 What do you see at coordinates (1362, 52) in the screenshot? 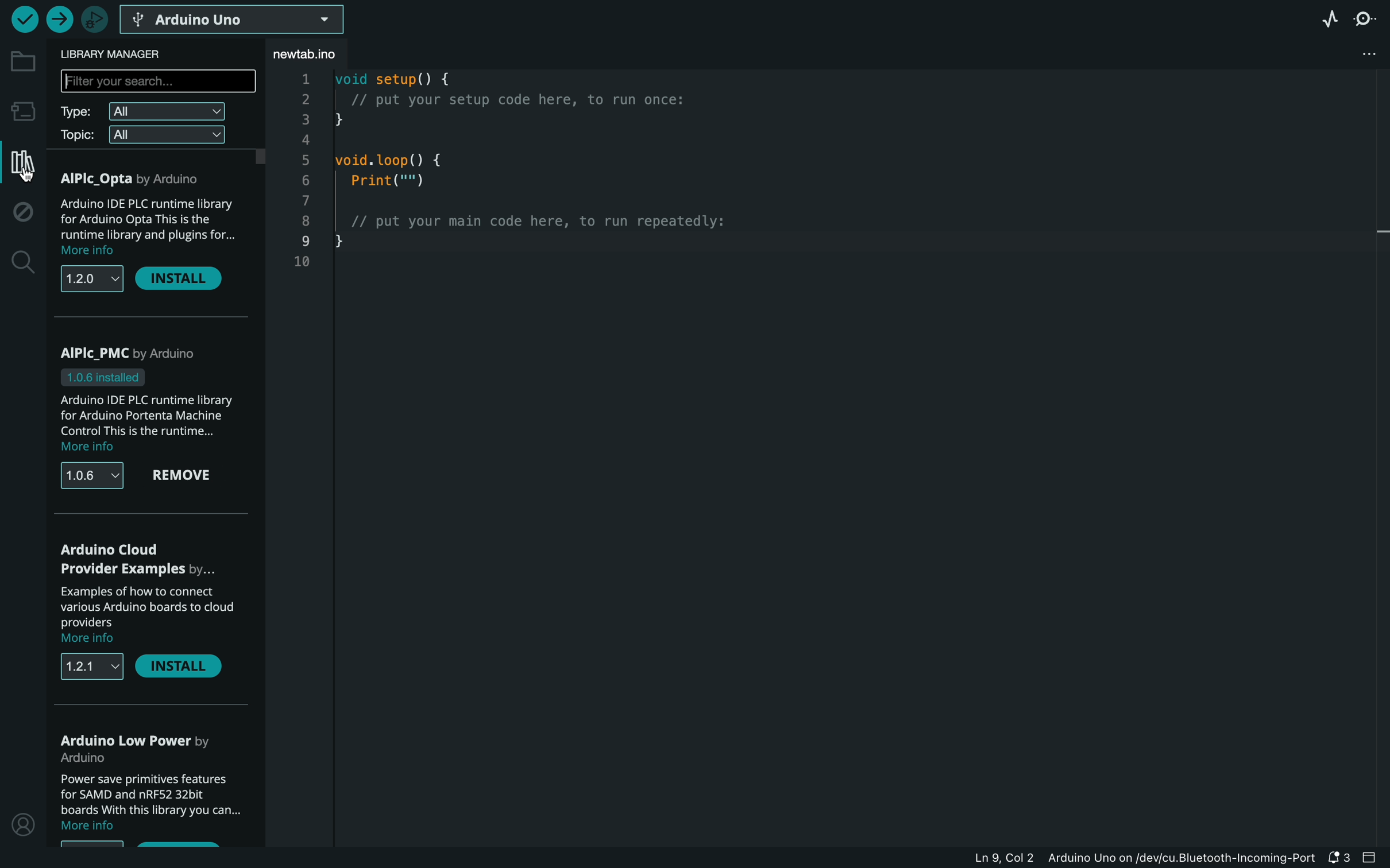
I see `file setting` at bounding box center [1362, 52].